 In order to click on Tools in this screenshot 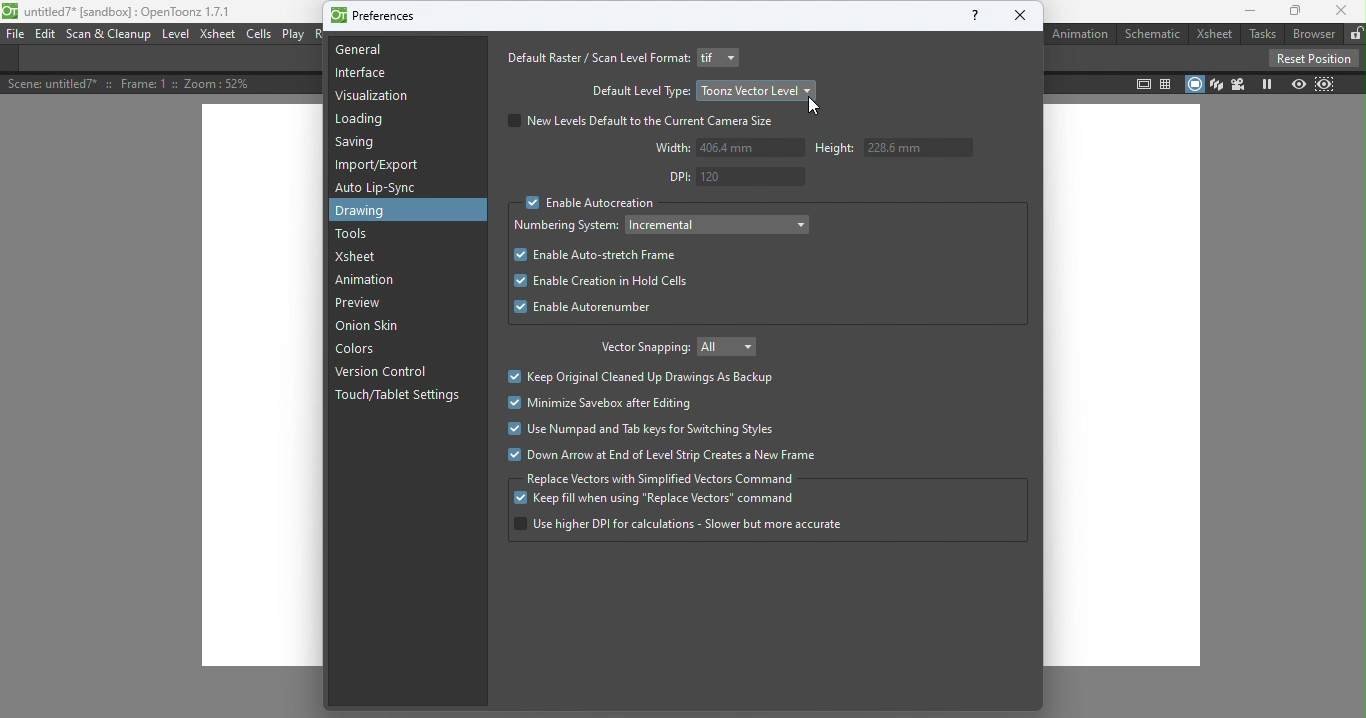, I will do `click(357, 236)`.